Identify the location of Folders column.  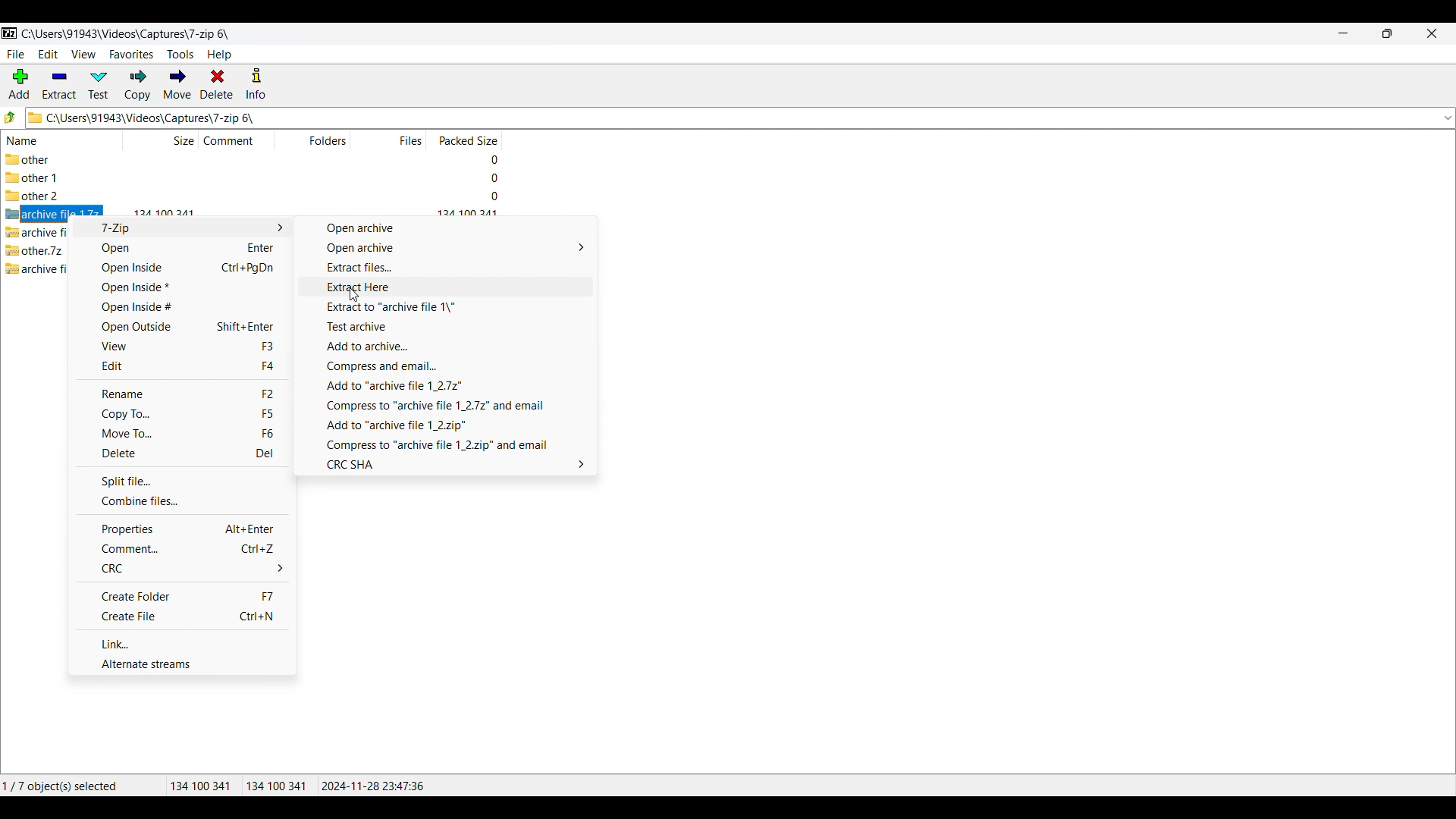
(327, 140).